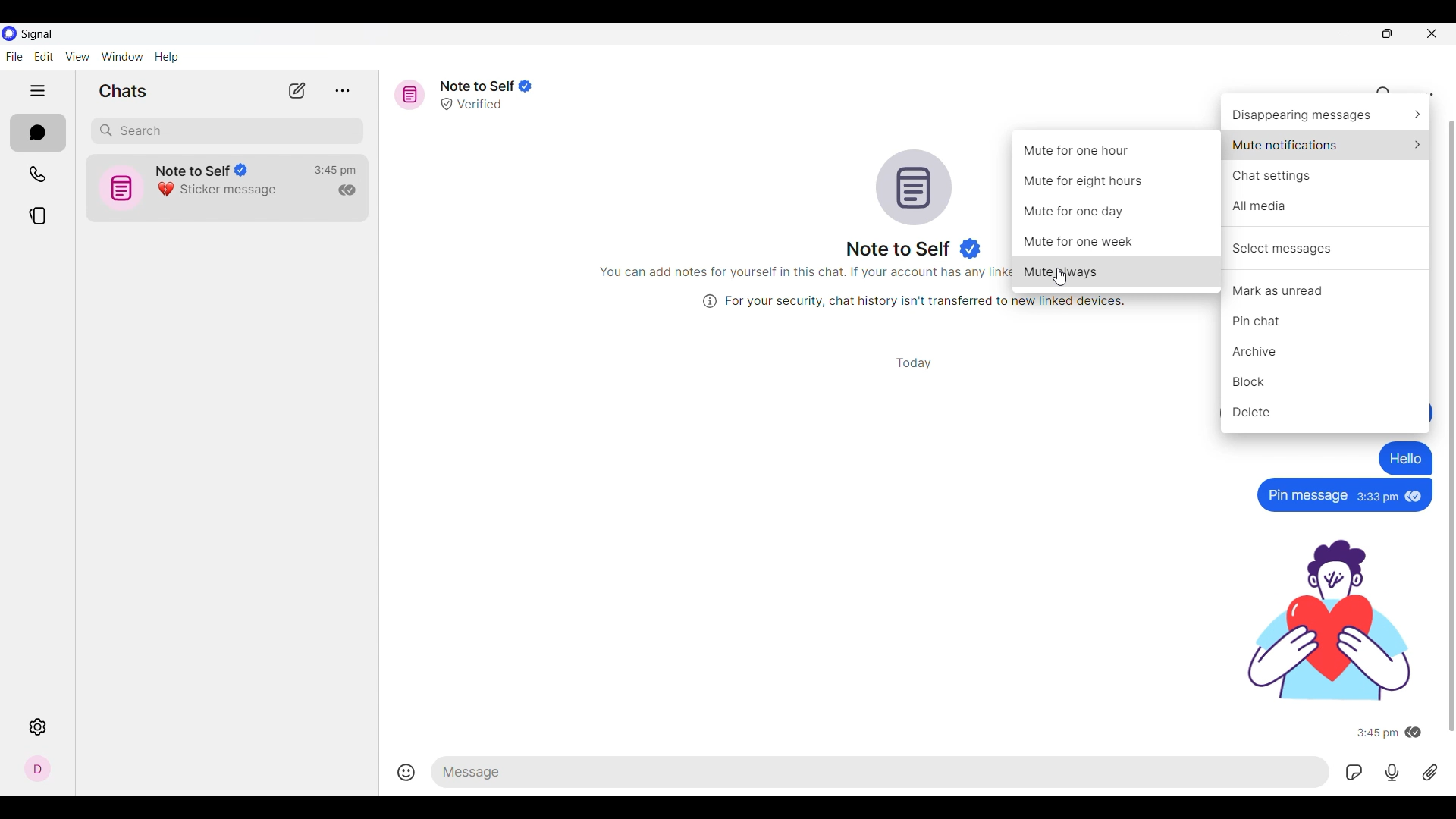  Describe the element at coordinates (1084, 240) in the screenshot. I see `Mute for one week` at that location.